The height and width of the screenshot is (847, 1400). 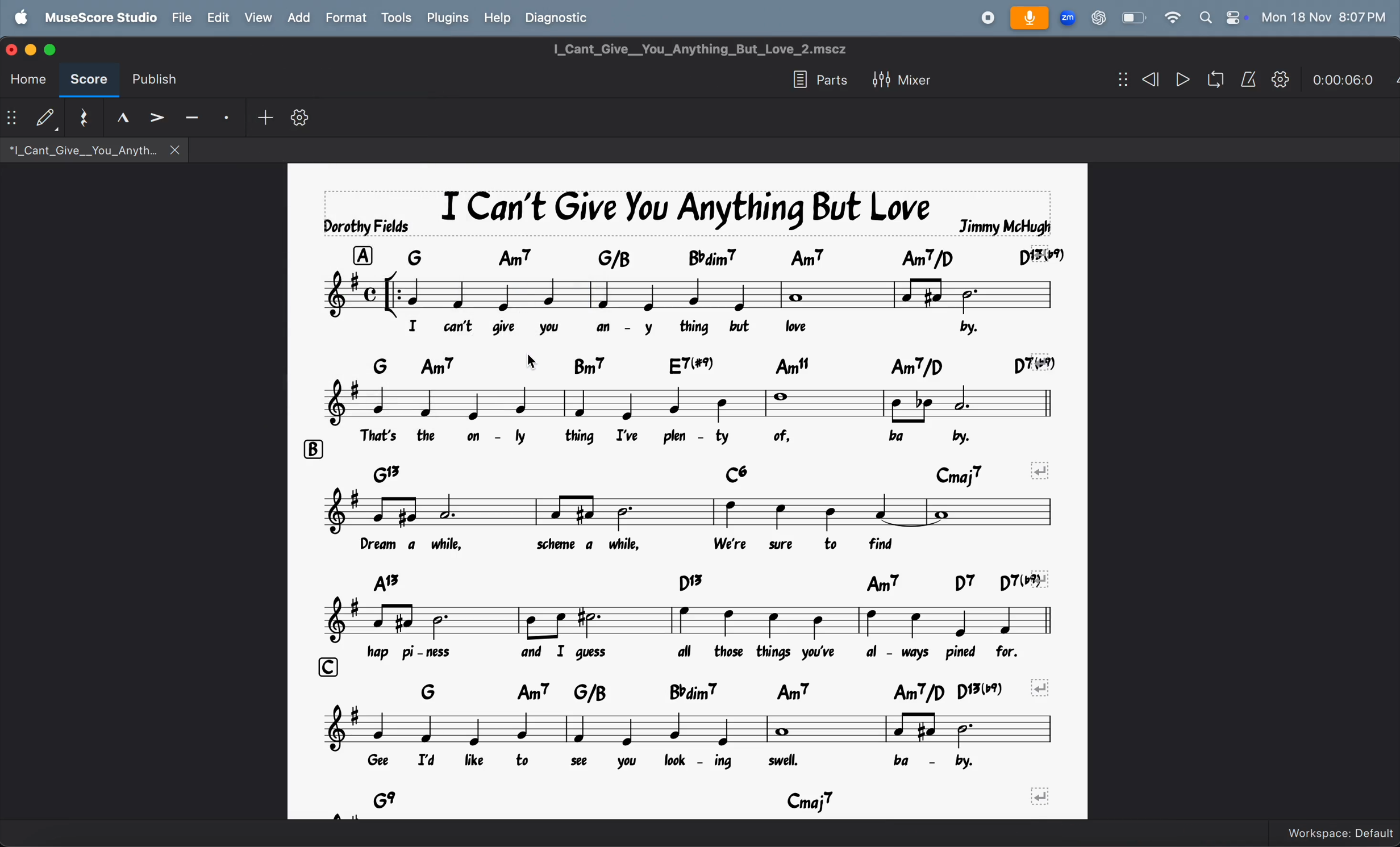 What do you see at coordinates (447, 19) in the screenshot?
I see `plugins` at bounding box center [447, 19].